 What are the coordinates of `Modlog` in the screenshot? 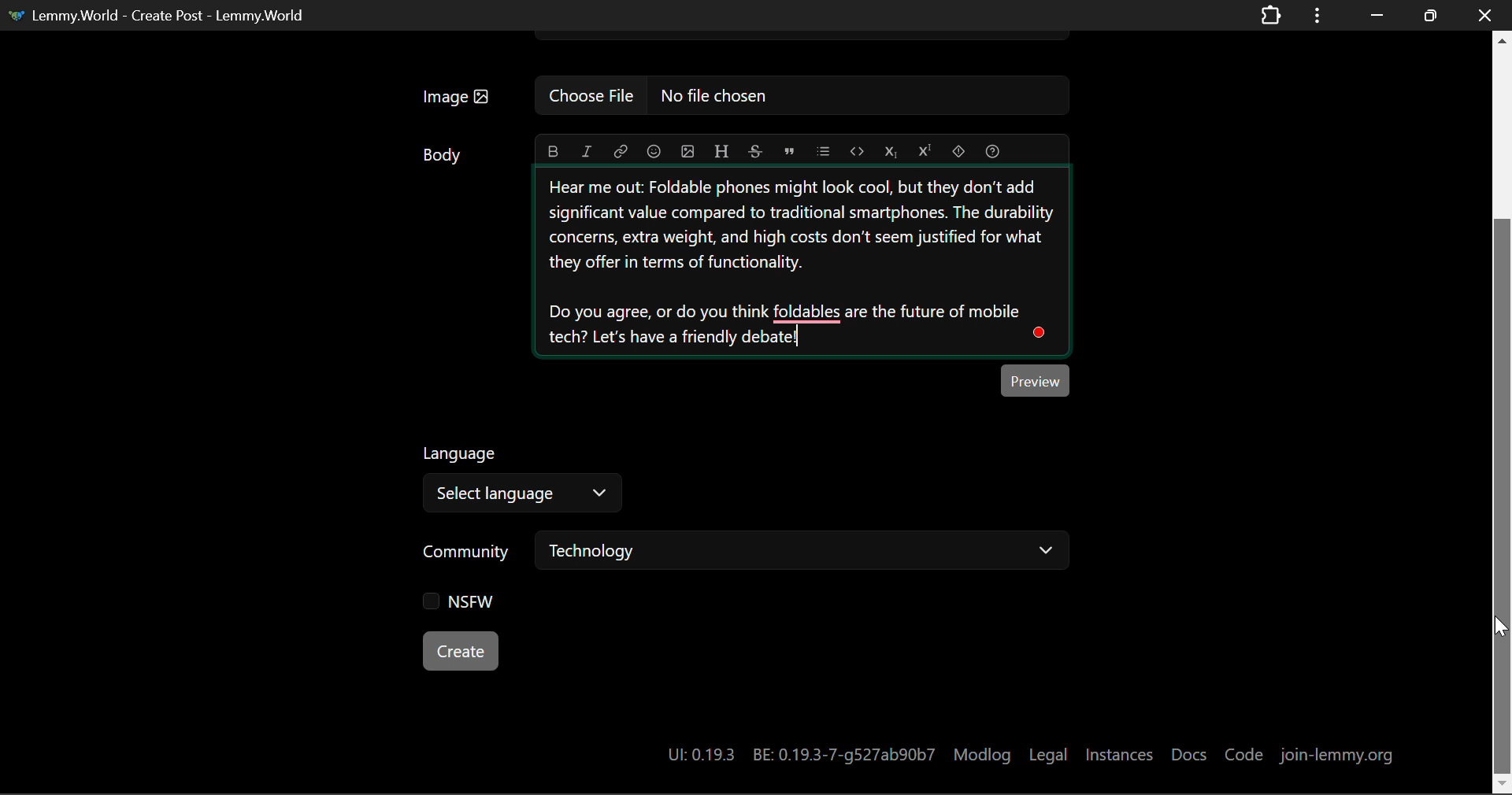 It's located at (982, 753).